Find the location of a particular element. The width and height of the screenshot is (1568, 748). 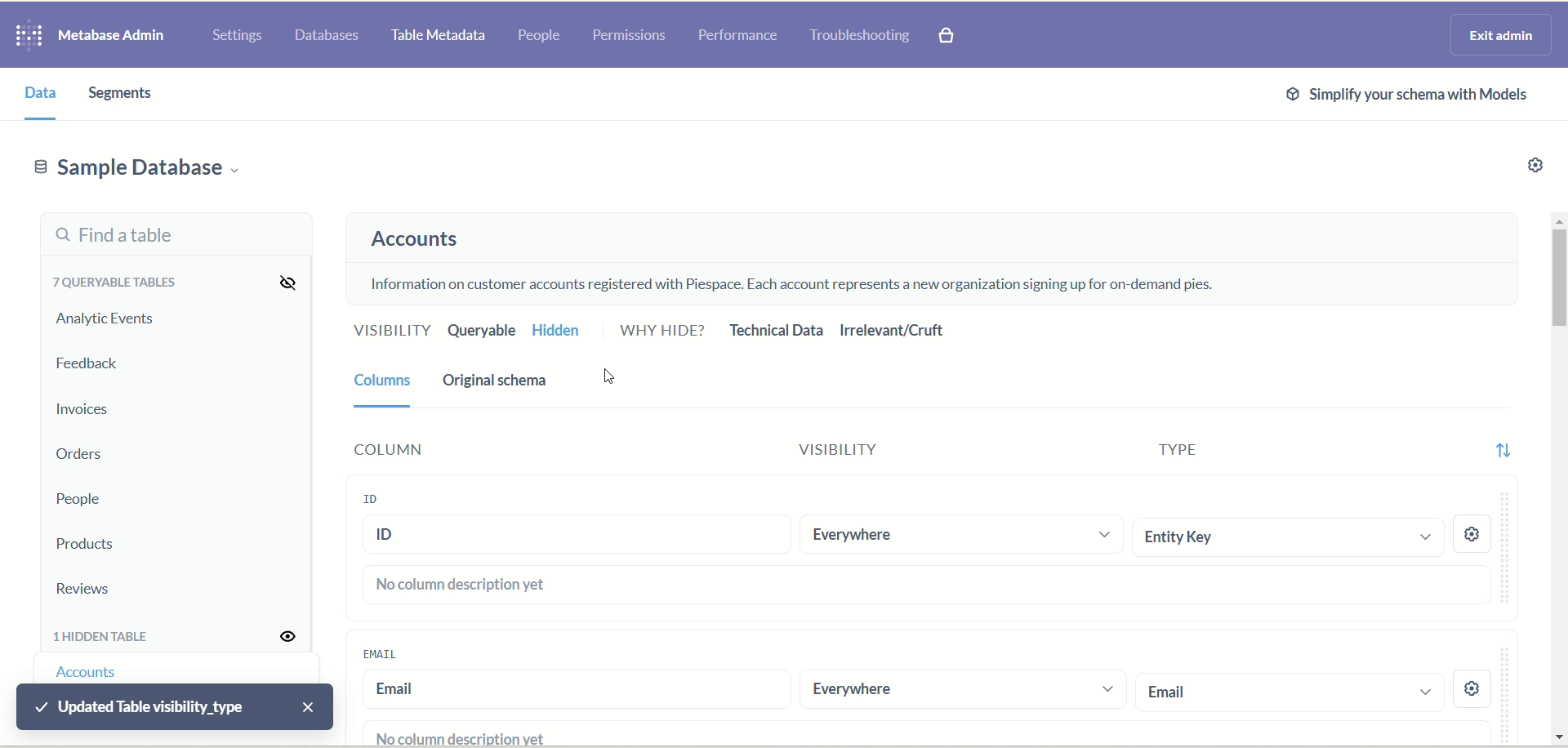

data is located at coordinates (42, 98).